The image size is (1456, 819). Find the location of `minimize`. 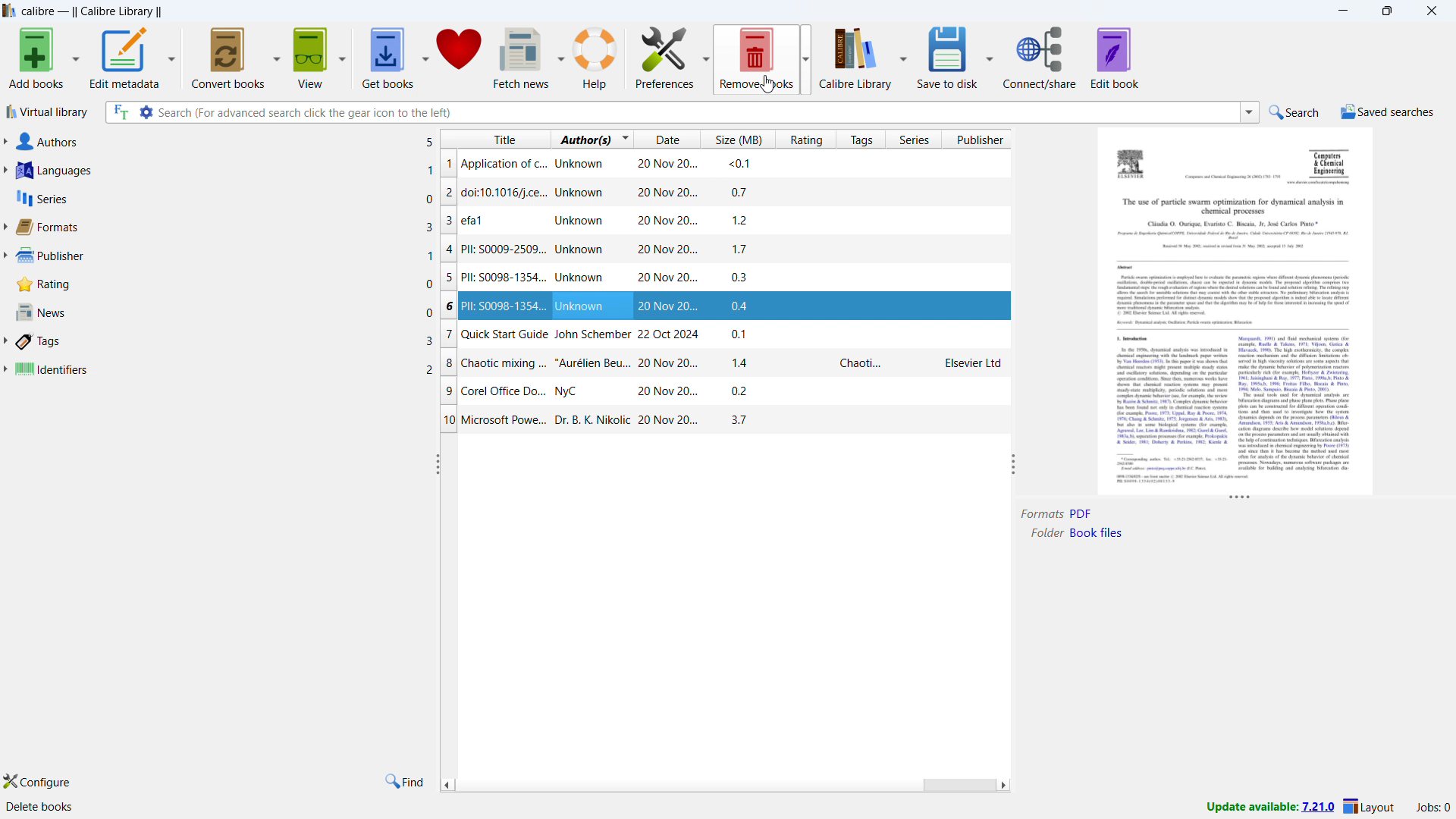

minimize is located at coordinates (1345, 9).